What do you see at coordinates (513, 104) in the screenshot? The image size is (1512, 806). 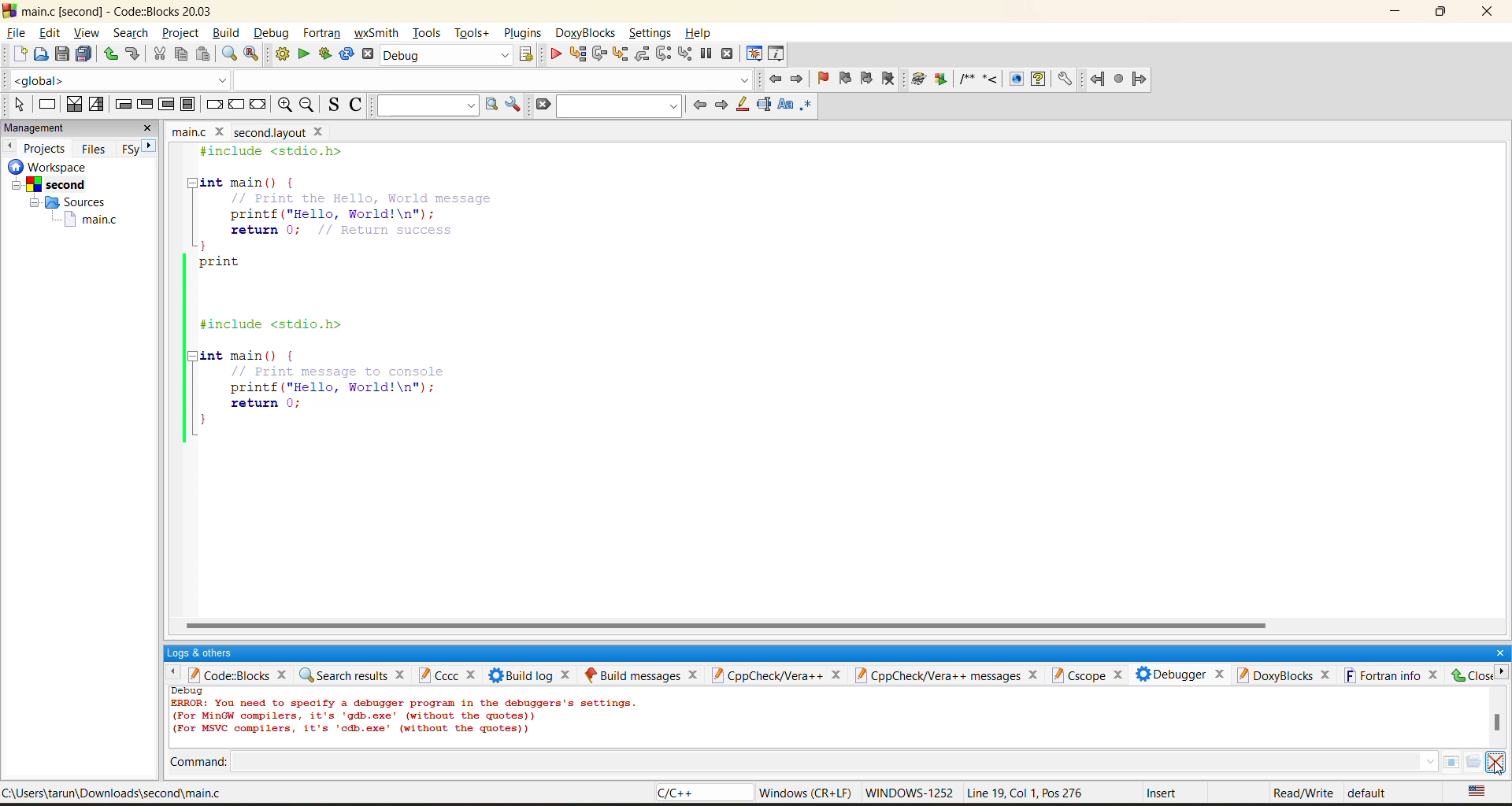 I see `show options window` at bounding box center [513, 104].